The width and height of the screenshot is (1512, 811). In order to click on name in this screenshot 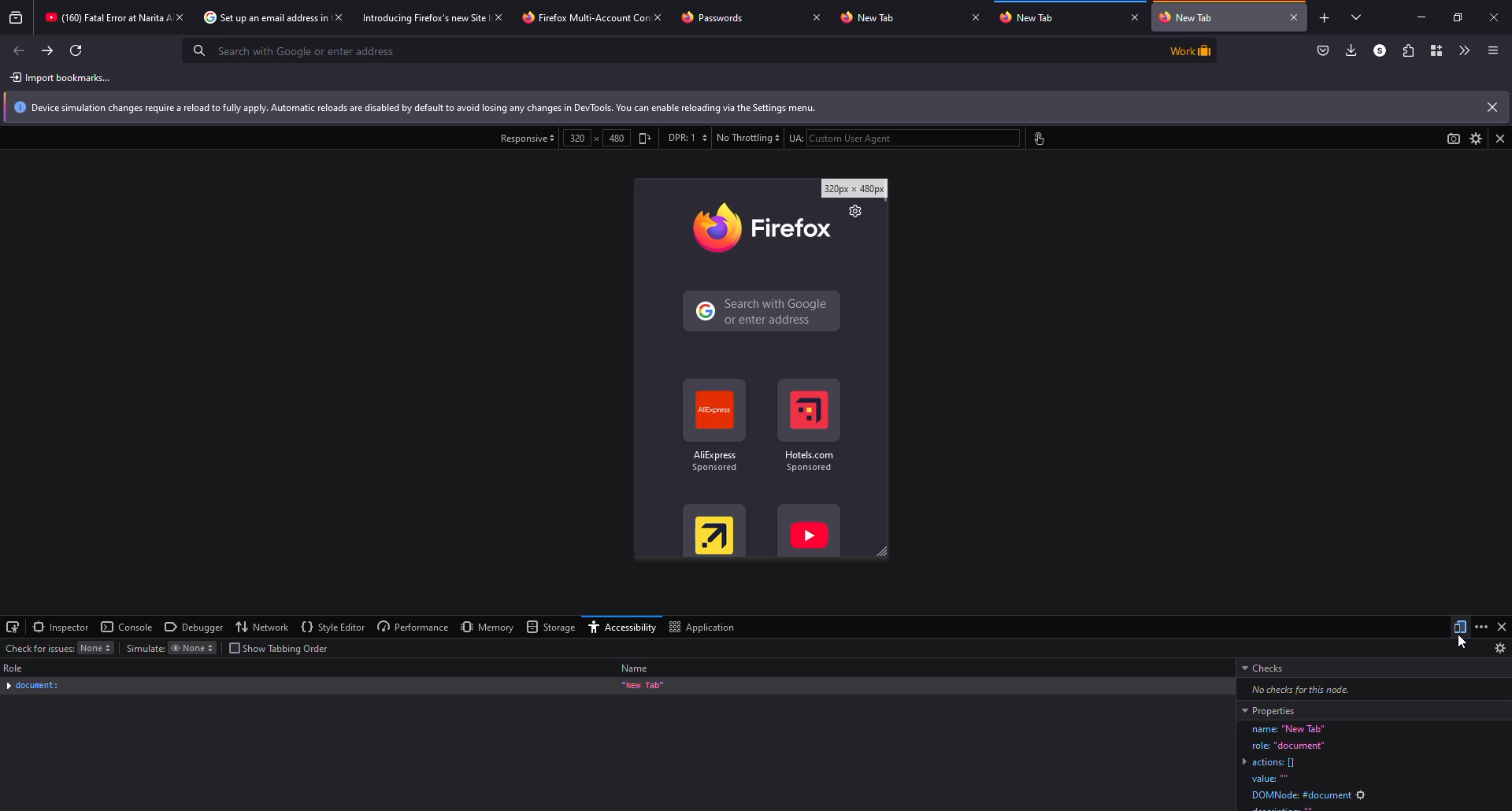, I will do `click(635, 668)`.